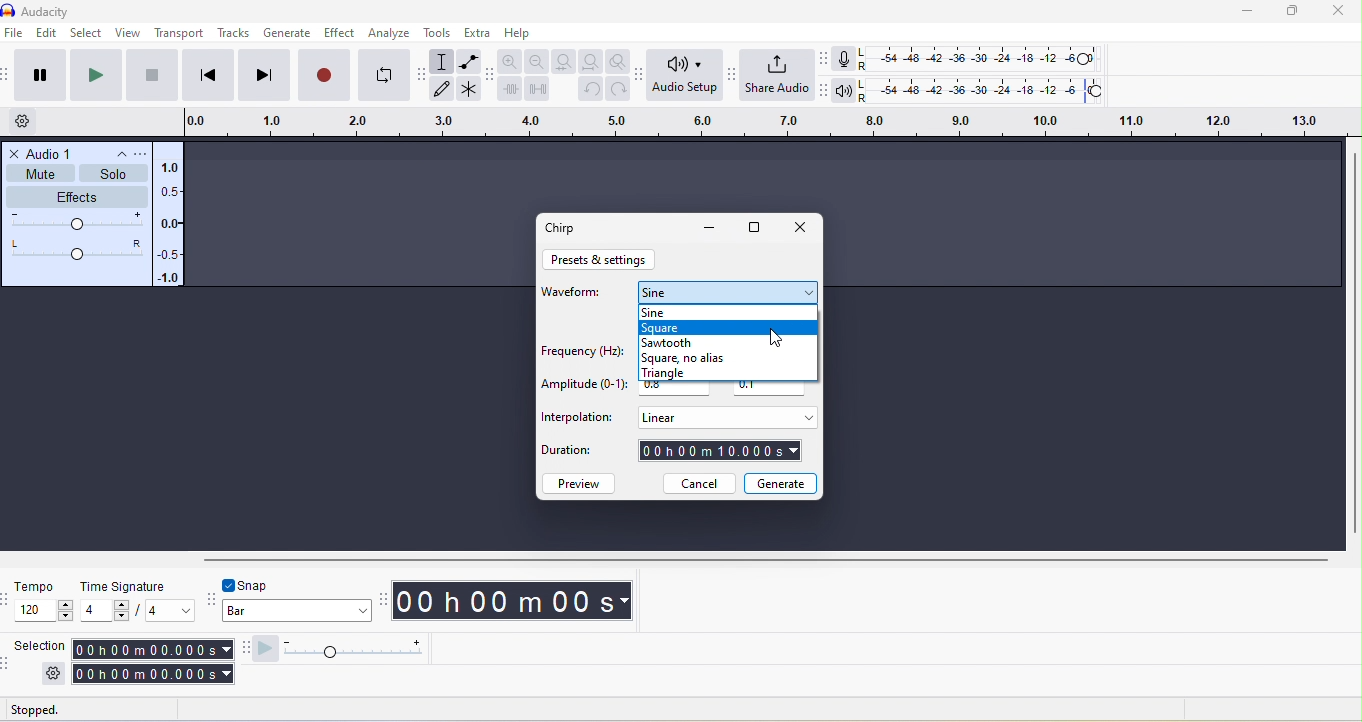 This screenshot has height=722, width=1362. I want to click on sine, so click(705, 311).